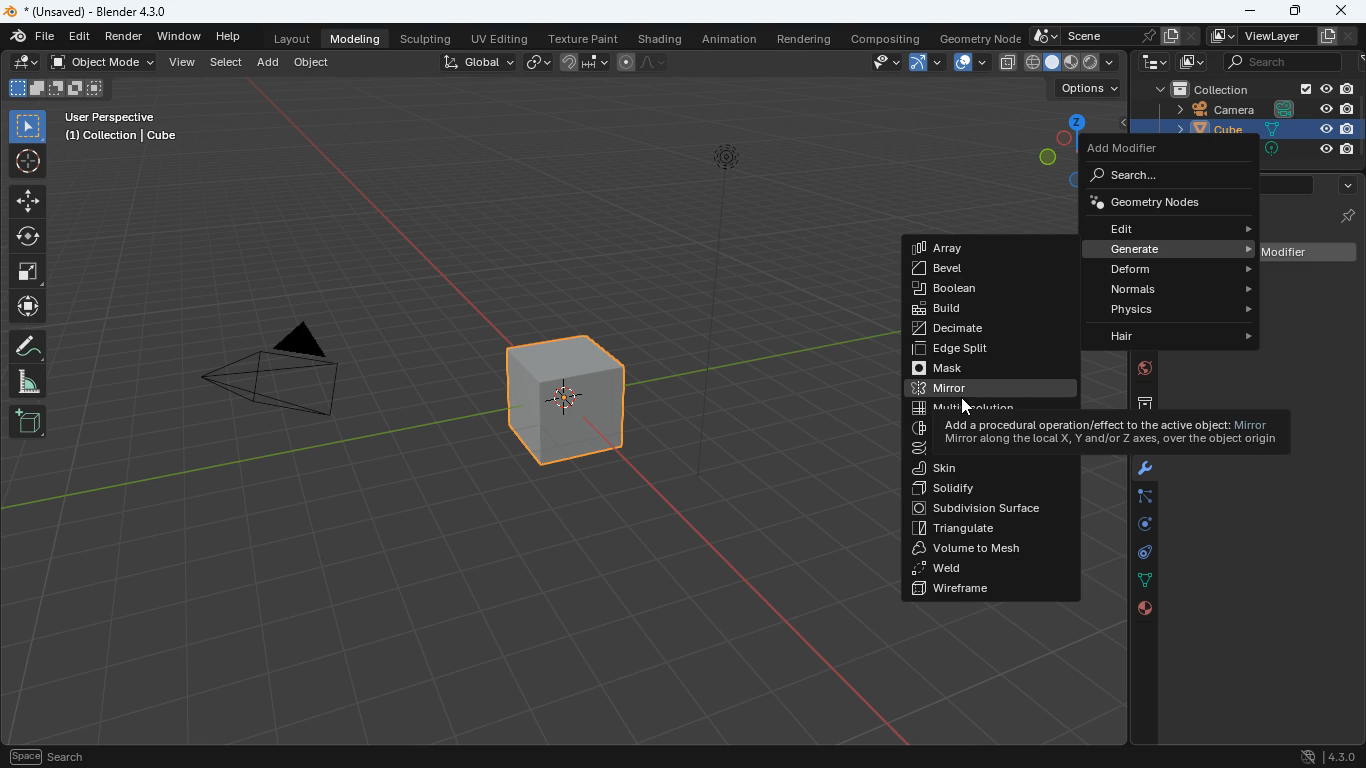 The image size is (1366, 768). Describe the element at coordinates (980, 38) in the screenshot. I see `geometry node` at that location.